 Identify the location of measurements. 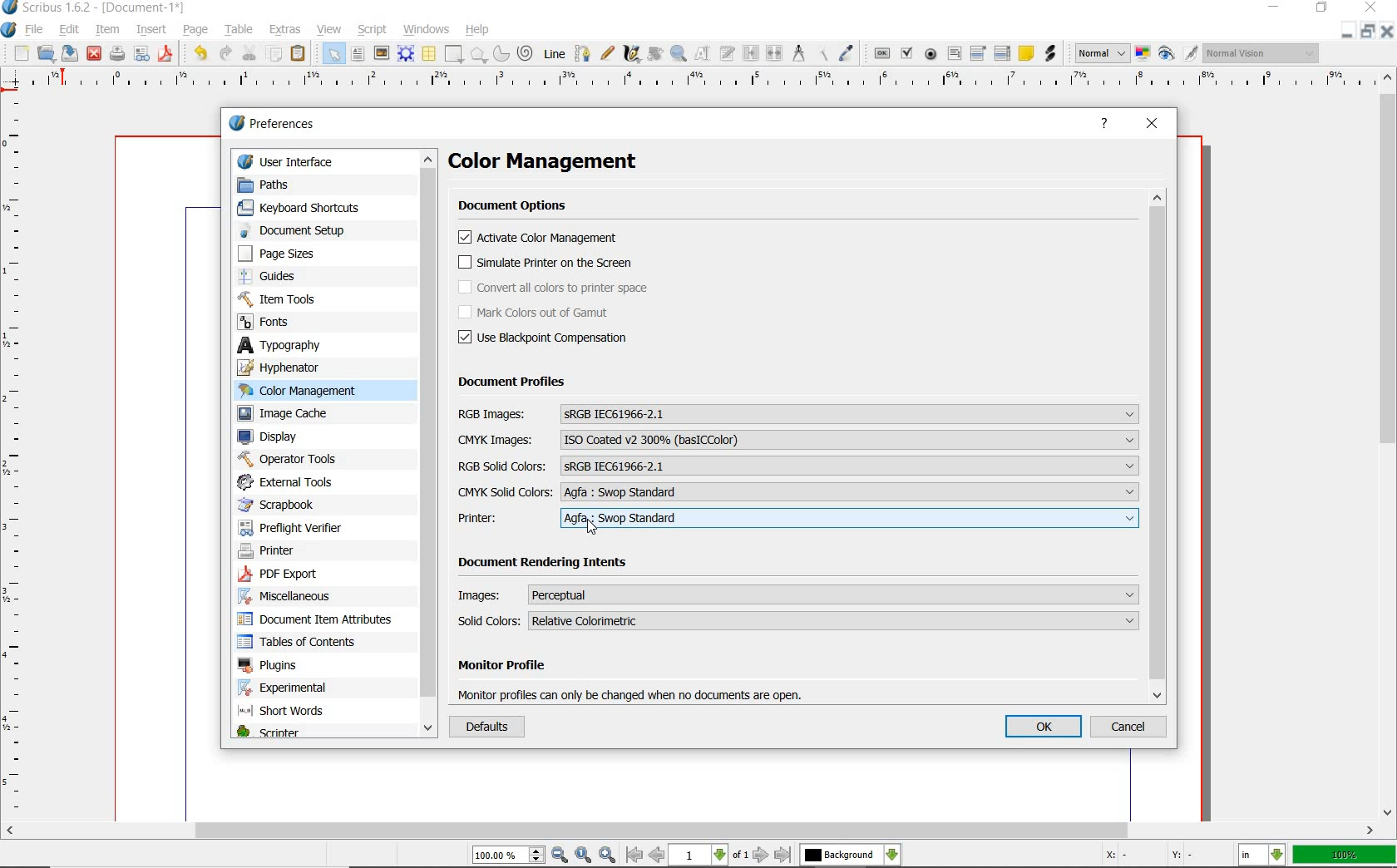
(799, 54).